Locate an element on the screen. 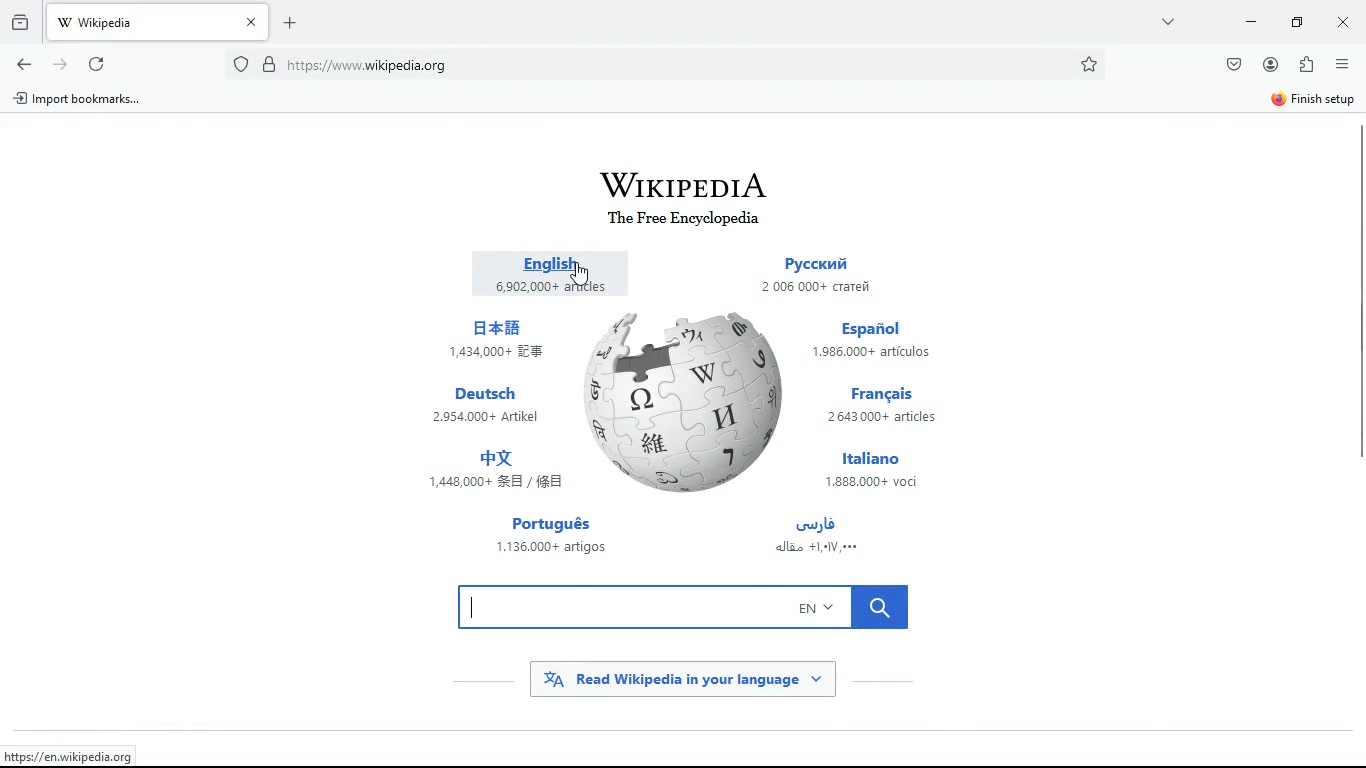  cursor is located at coordinates (581, 274).